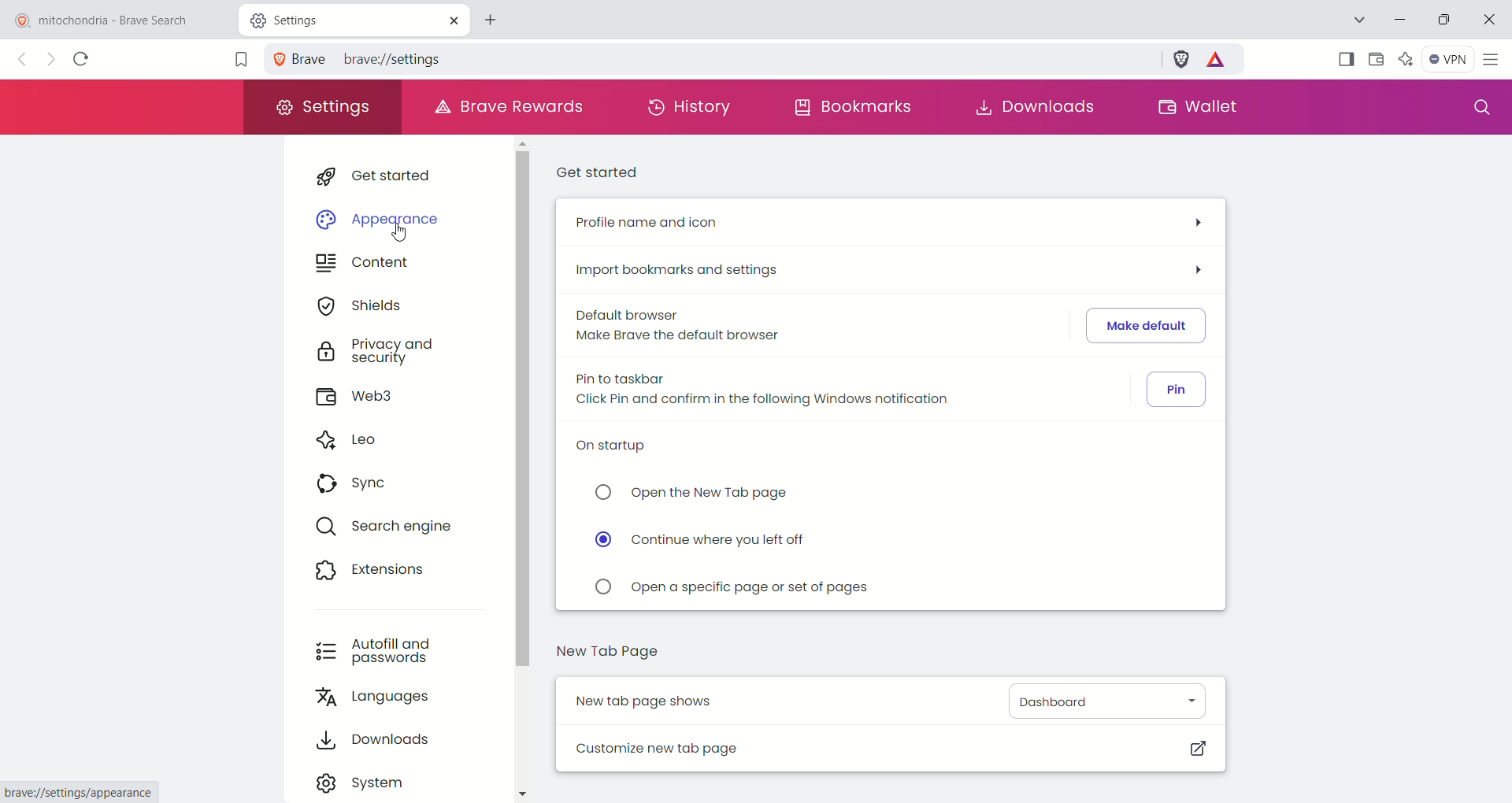 The width and height of the screenshot is (1512, 803). I want to click on open the new tab page, so click(691, 495).